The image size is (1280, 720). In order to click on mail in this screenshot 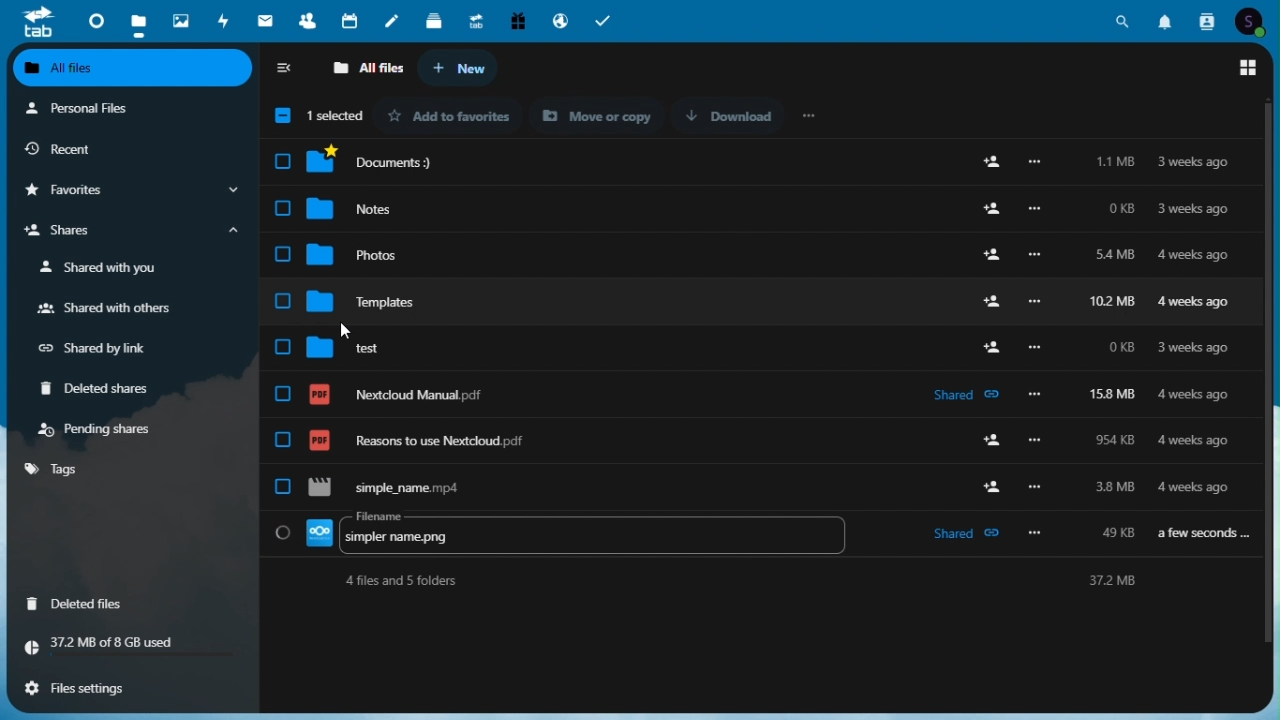, I will do `click(268, 20)`.